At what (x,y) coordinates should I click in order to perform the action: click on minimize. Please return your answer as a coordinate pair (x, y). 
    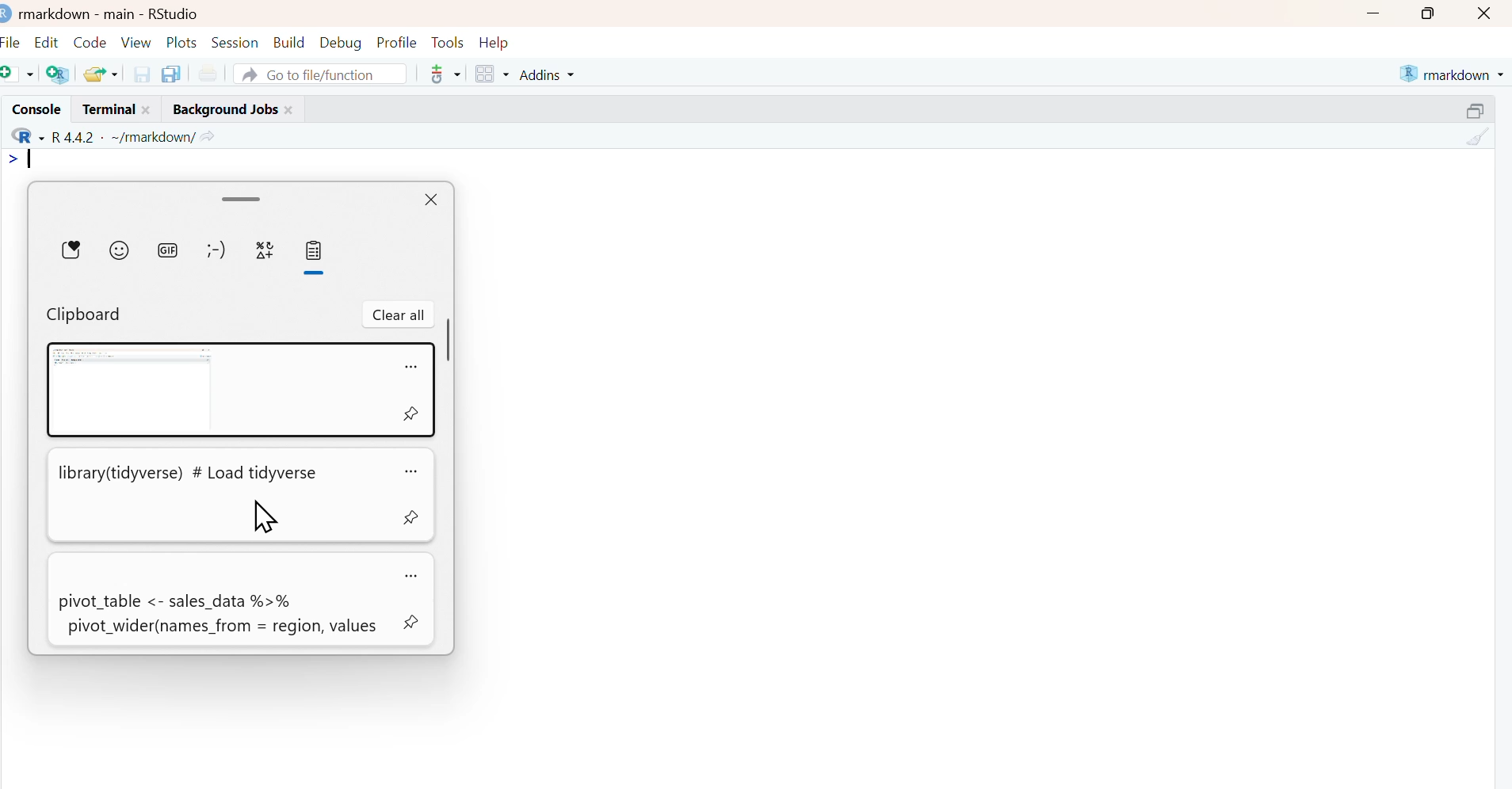
    Looking at the image, I should click on (1373, 13).